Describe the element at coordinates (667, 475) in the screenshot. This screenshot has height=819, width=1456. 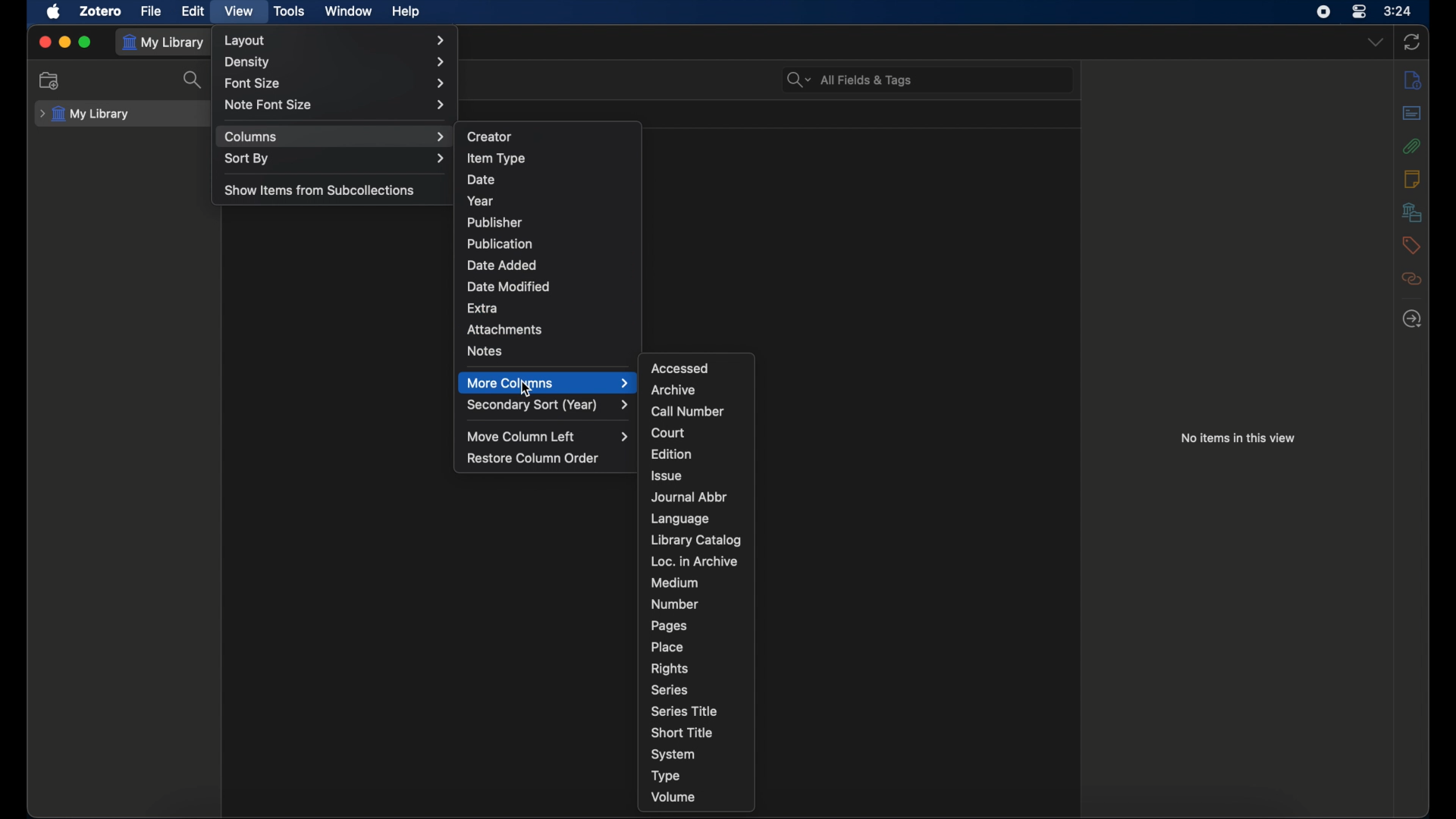
I see `issue` at that location.